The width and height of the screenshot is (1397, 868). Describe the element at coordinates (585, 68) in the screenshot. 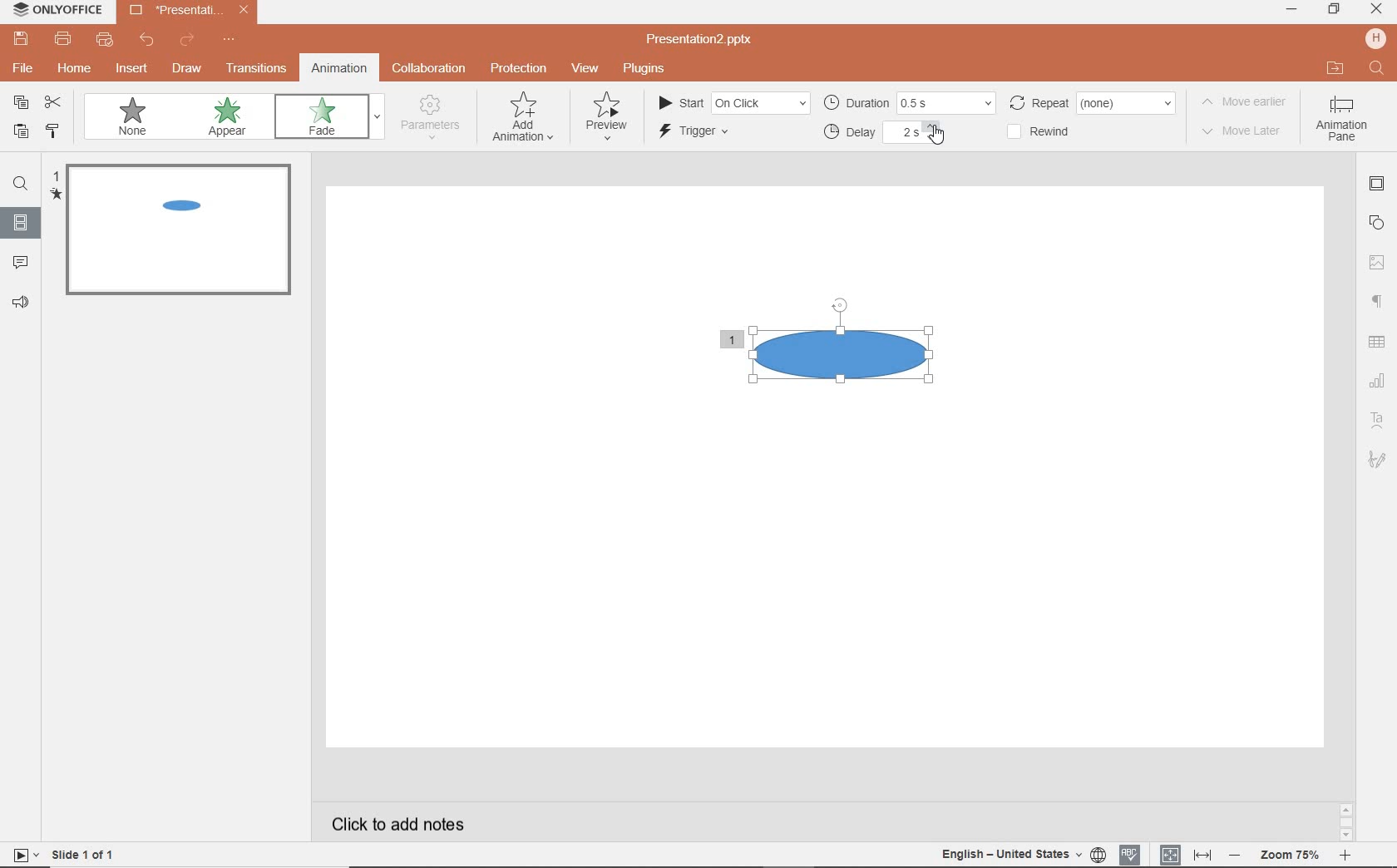

I see `view` at that location.